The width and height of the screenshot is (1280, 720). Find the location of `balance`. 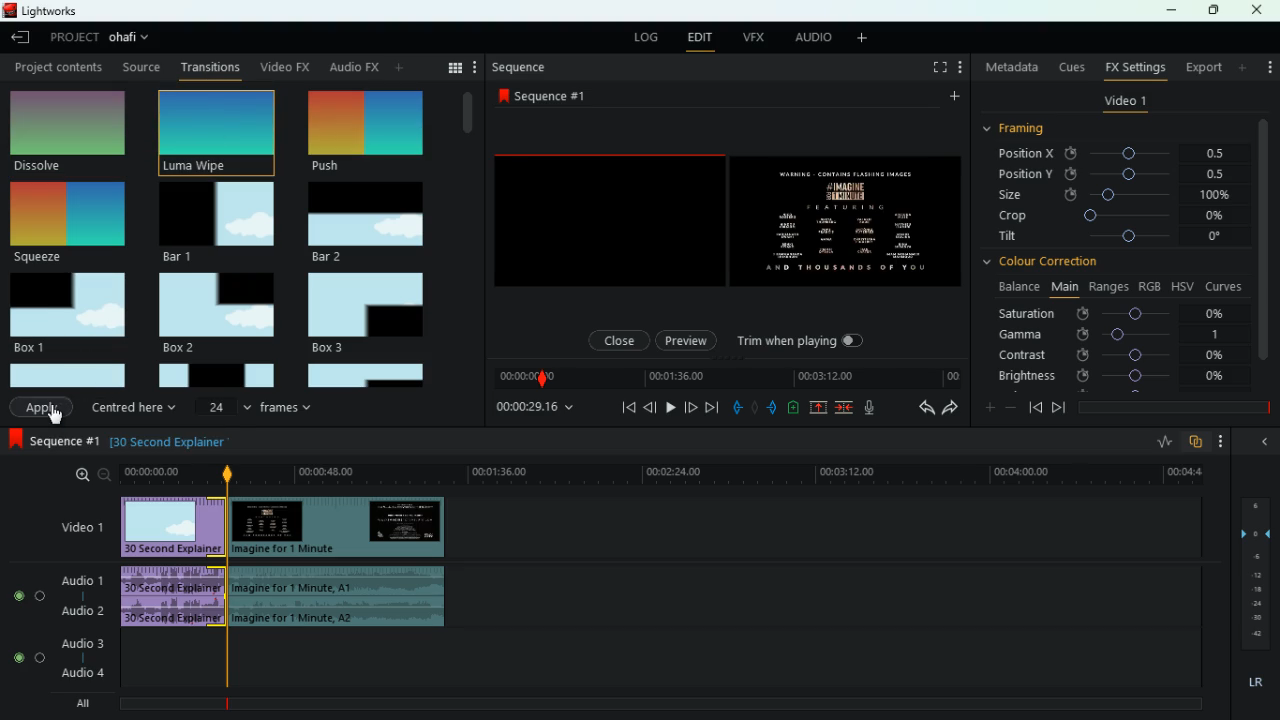

balance is located at coordinates (1016, 287).